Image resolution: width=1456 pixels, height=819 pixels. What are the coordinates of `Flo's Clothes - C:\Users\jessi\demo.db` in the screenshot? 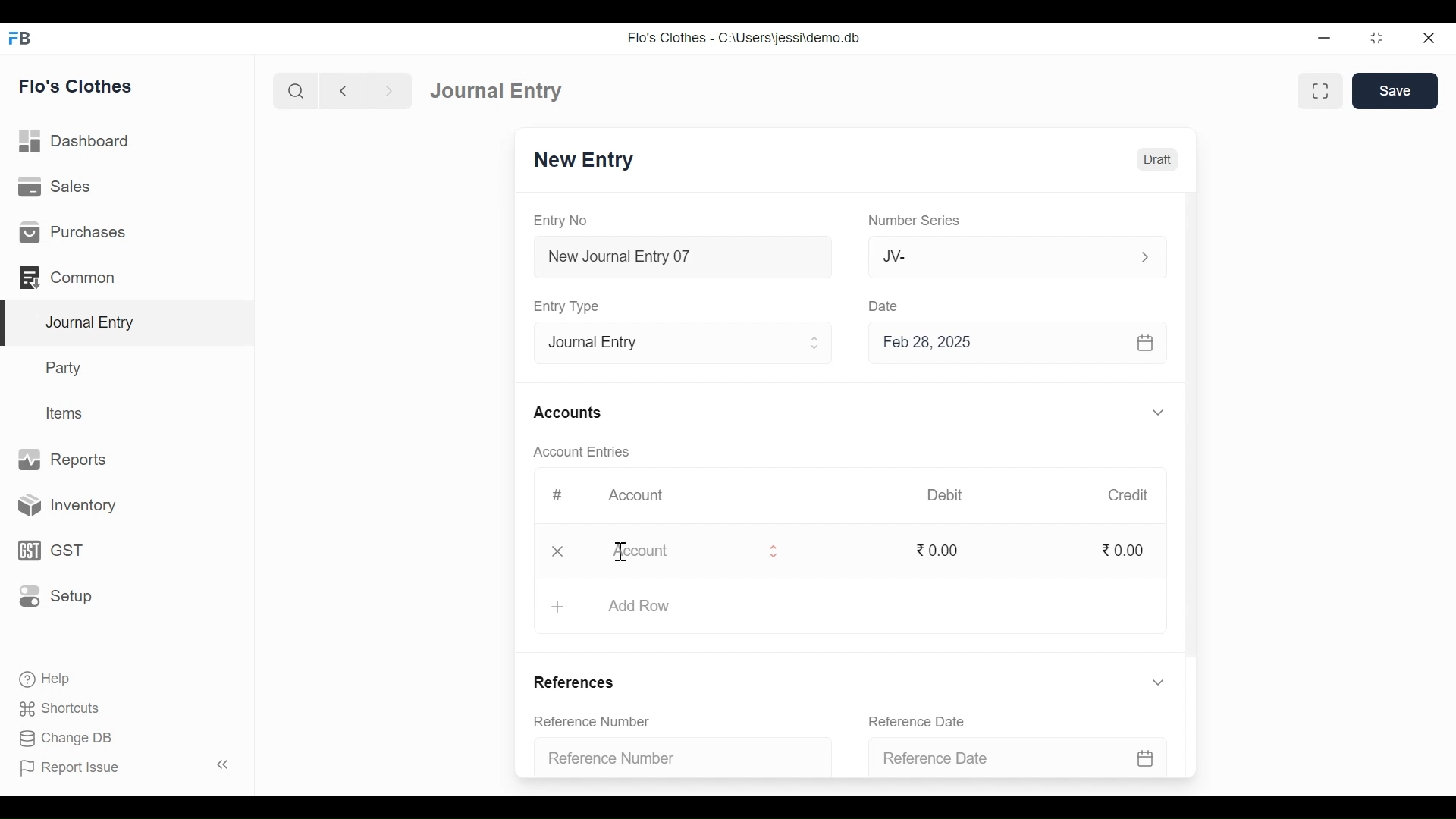 It's located at (746, 38).